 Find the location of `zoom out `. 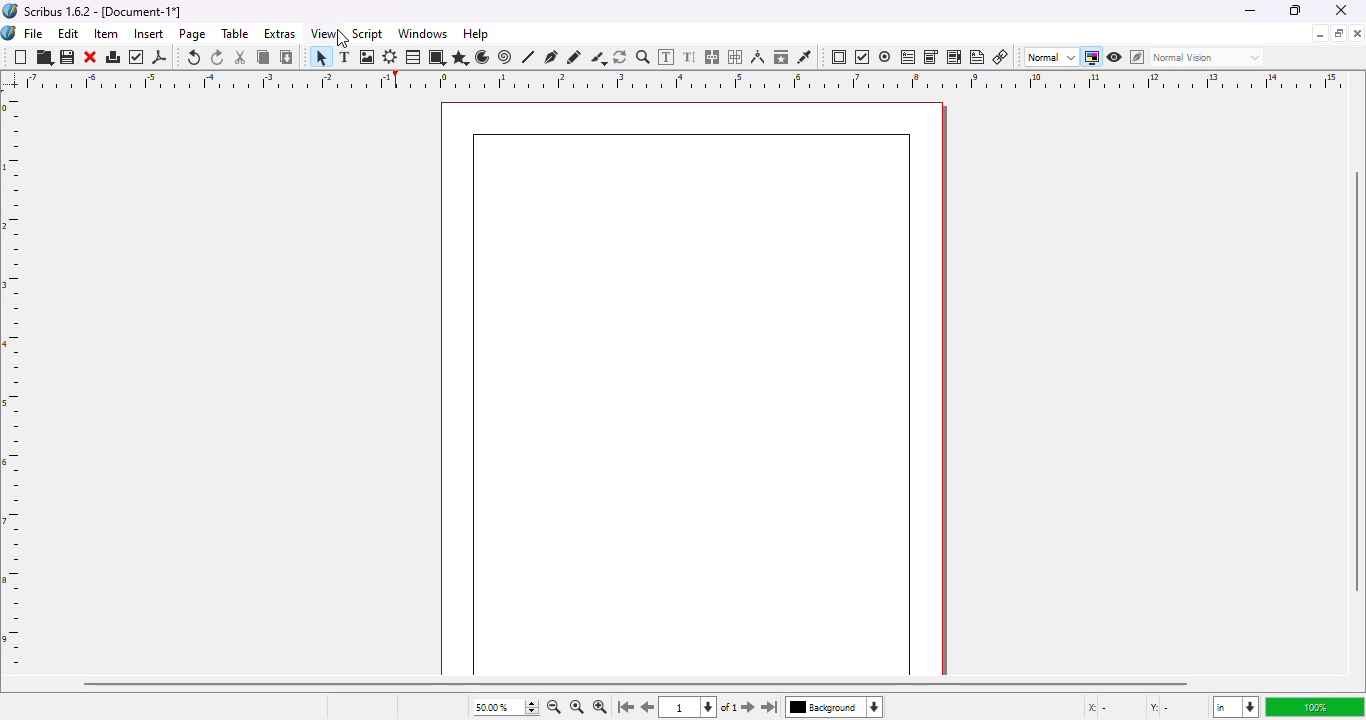

zoom out  is located at coordinates (553, 707).